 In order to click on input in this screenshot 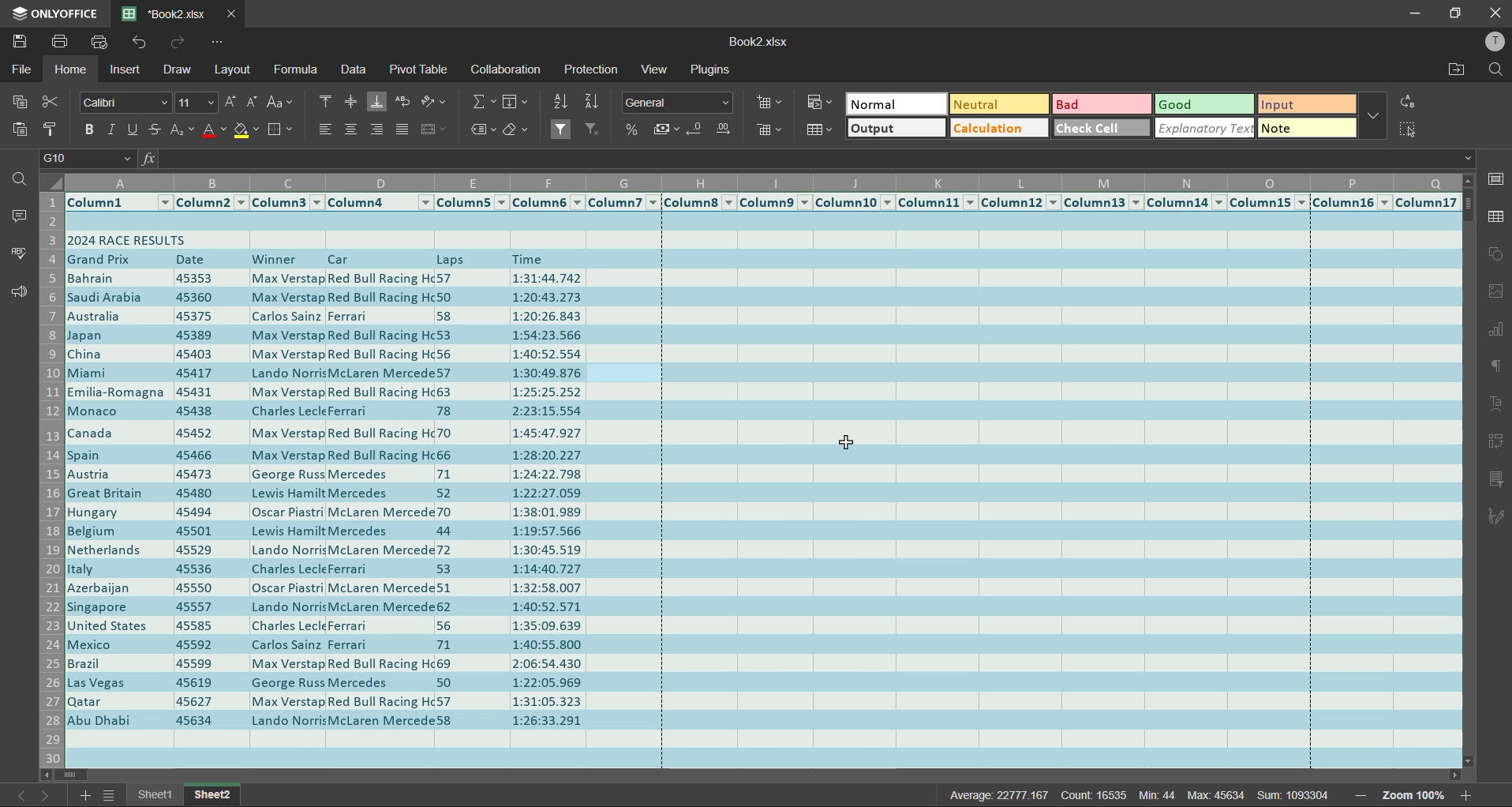, I will do `click(1304, 106)`.